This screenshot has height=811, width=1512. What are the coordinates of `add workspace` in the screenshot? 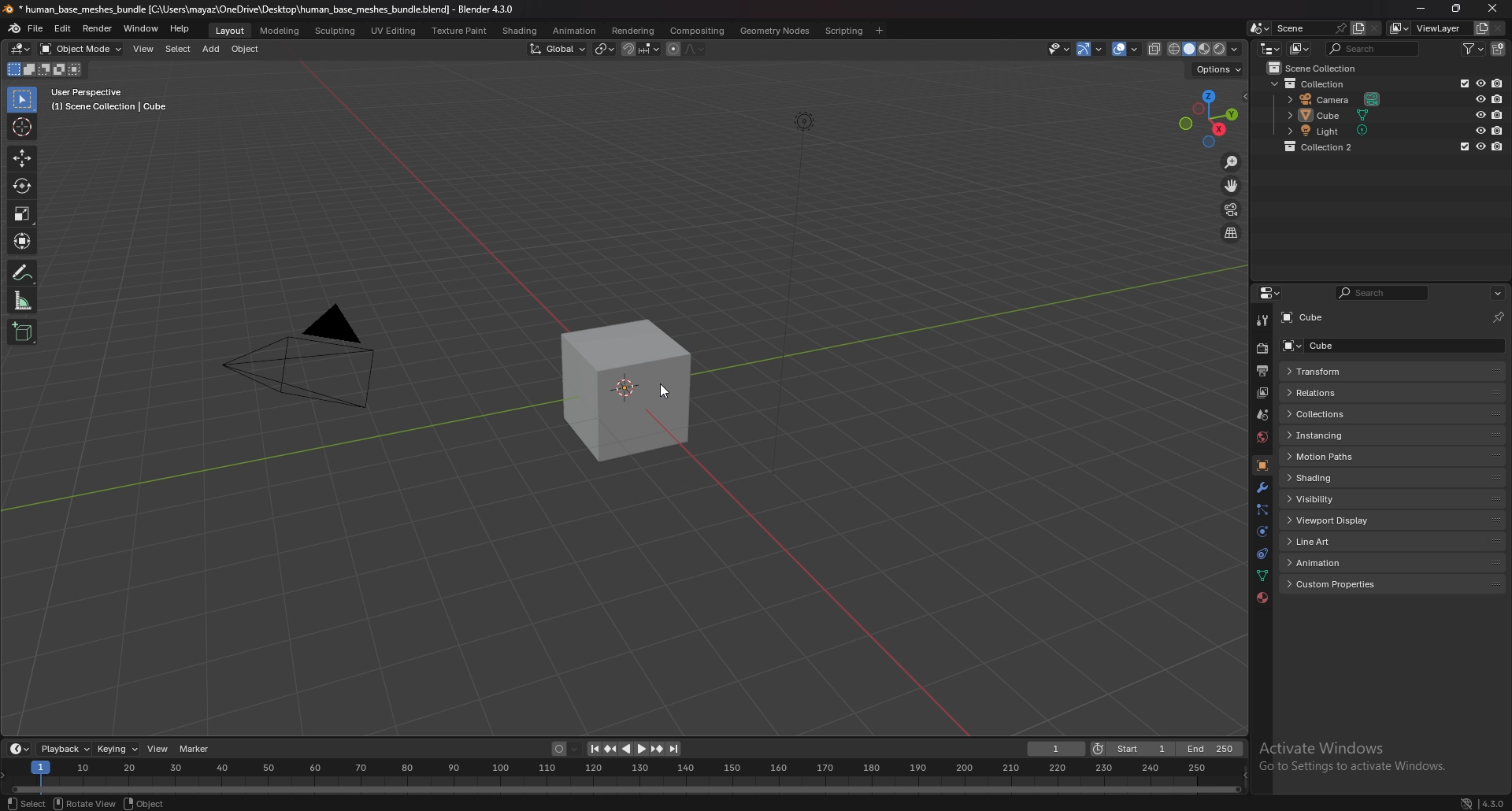 It's located at (877, 31).